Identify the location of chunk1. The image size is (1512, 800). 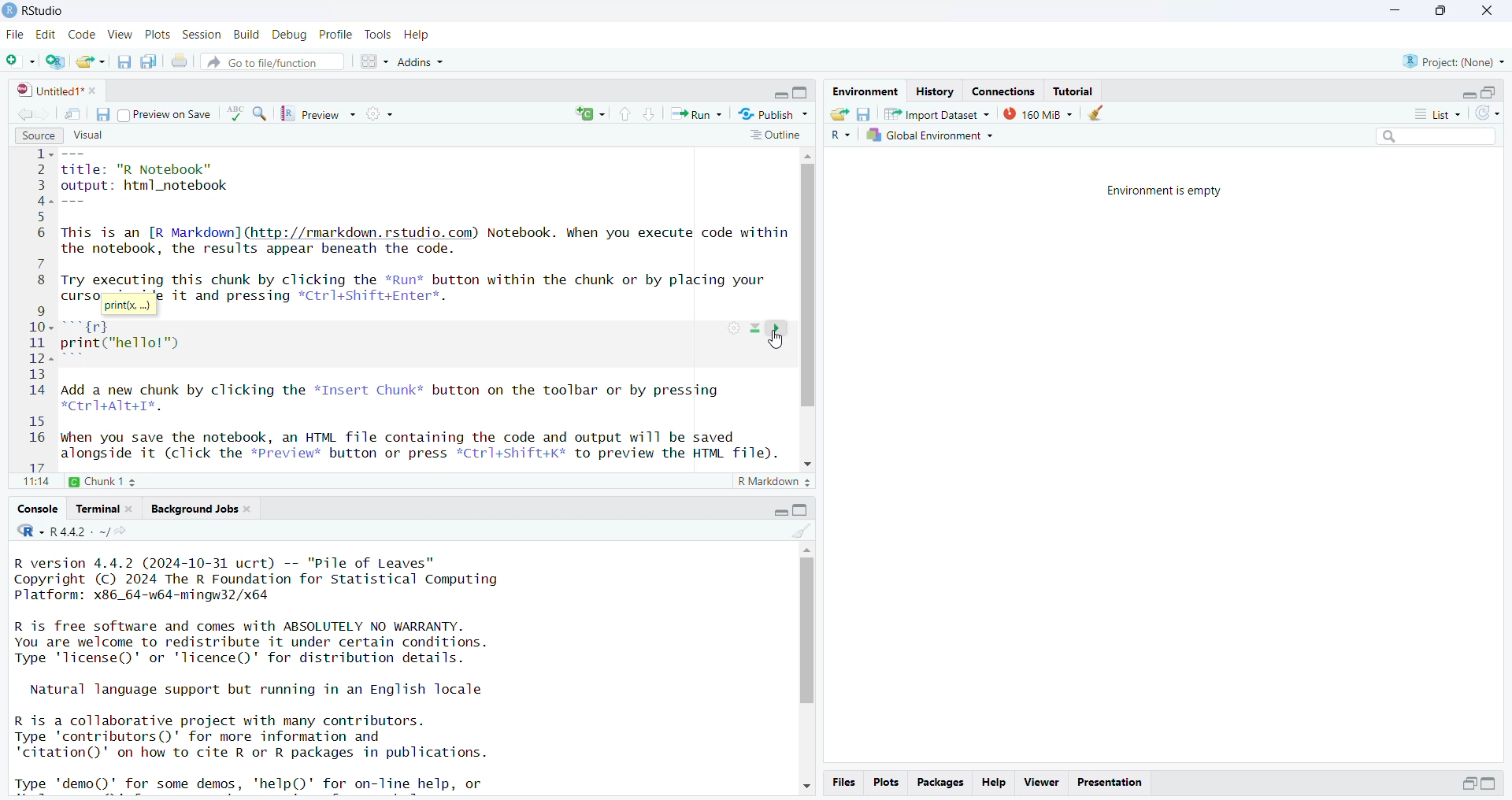
(112, 480).